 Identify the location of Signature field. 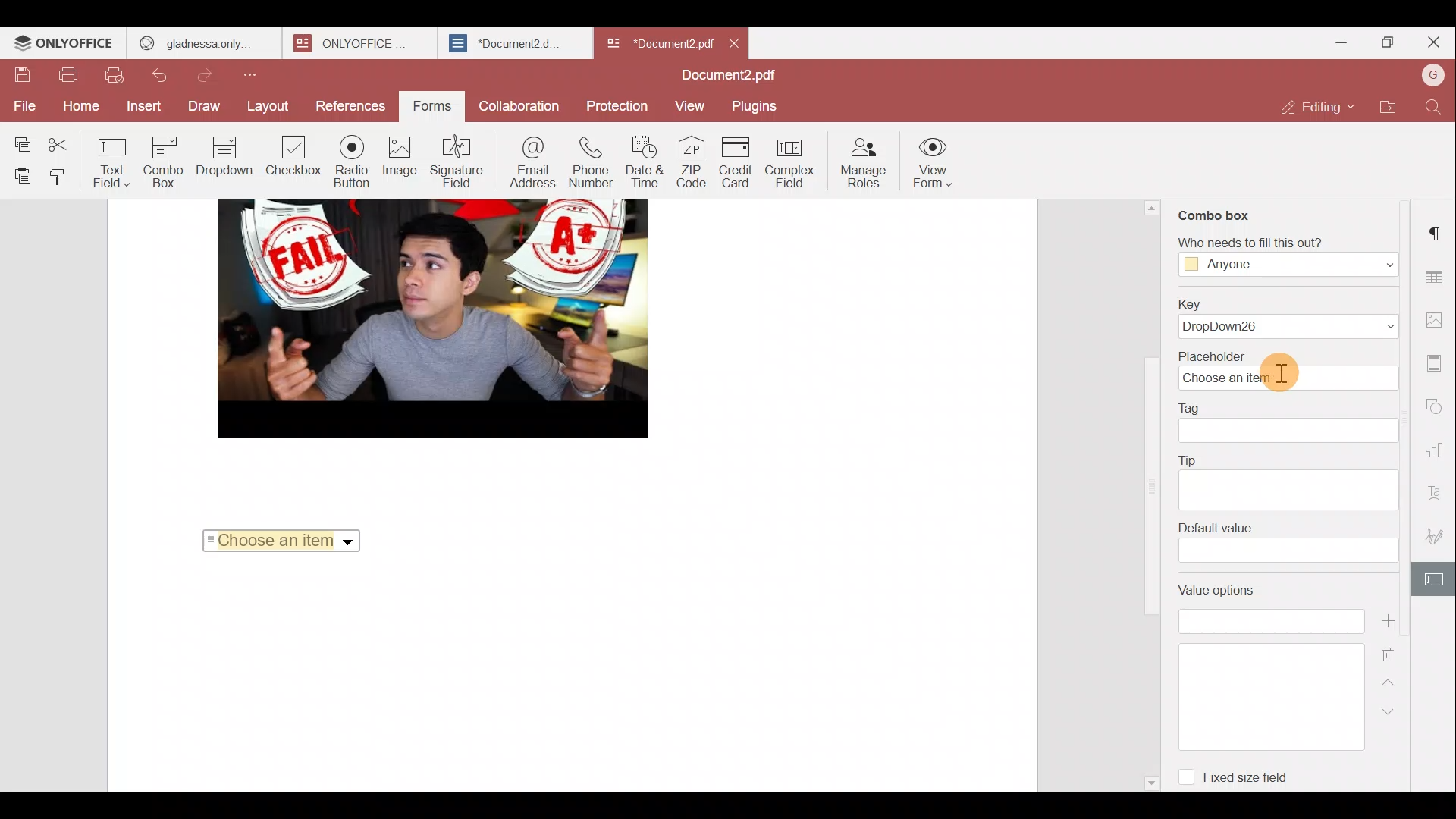
(457, 161).